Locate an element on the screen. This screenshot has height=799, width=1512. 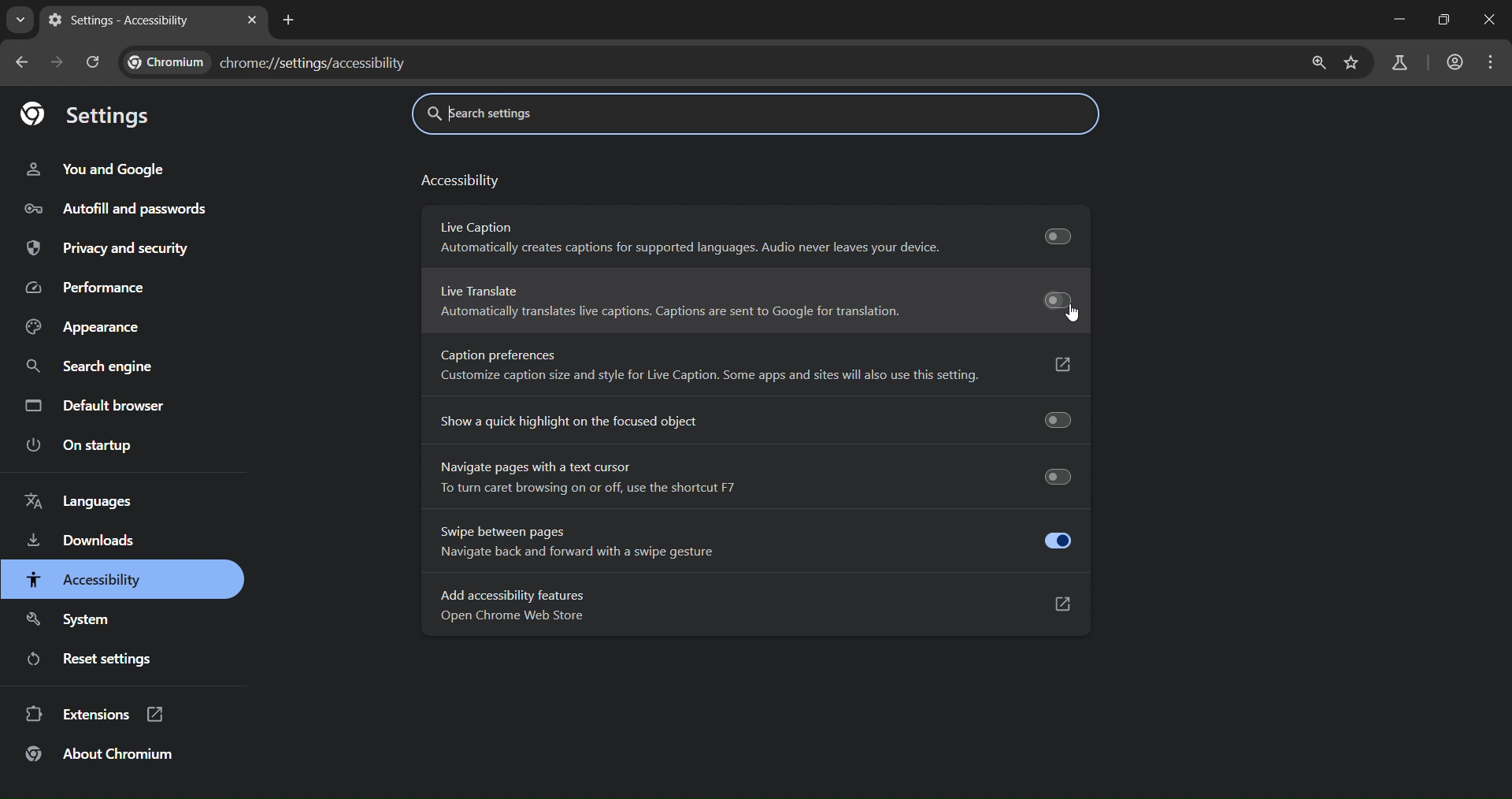
settings is located at coordinates (88, 115).